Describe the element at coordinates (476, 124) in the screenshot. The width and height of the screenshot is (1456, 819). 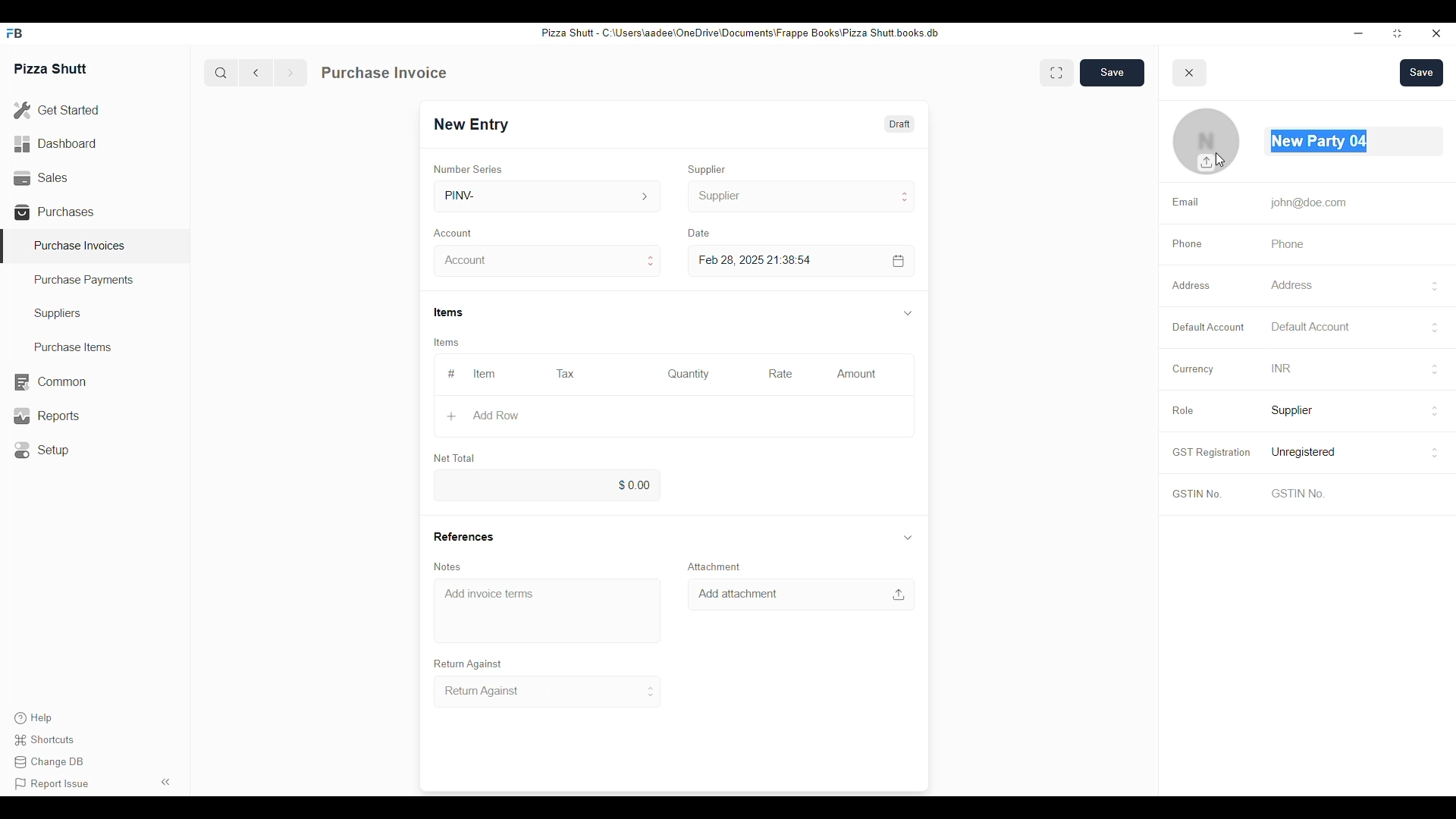
I see `New Entry` at that location.